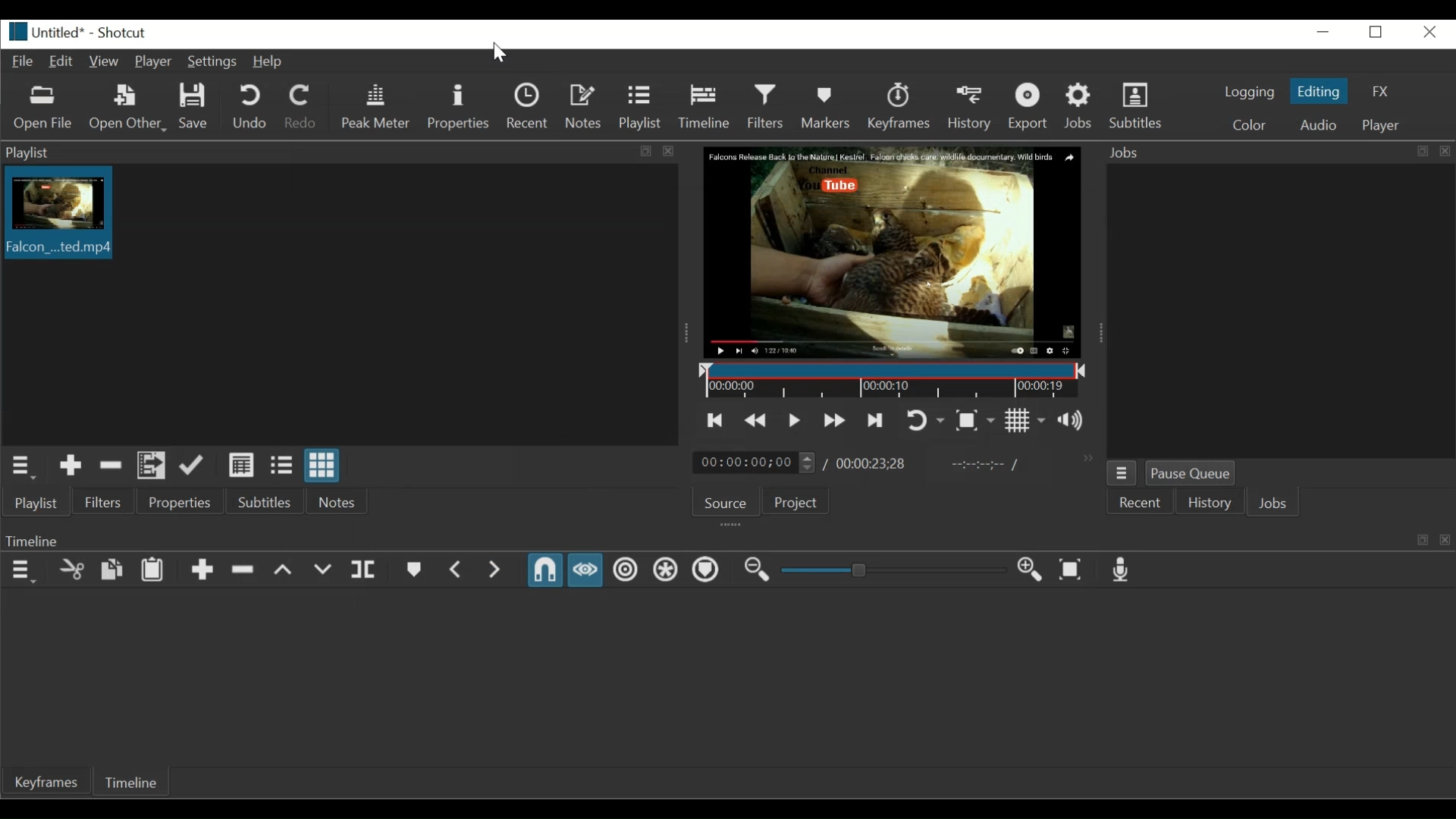 This screenshot has width=1456, height=819. What do you see at coordinates (1144, 108) in the screenshot?
I see `Subtitles` at bounding box center [1144, 108].